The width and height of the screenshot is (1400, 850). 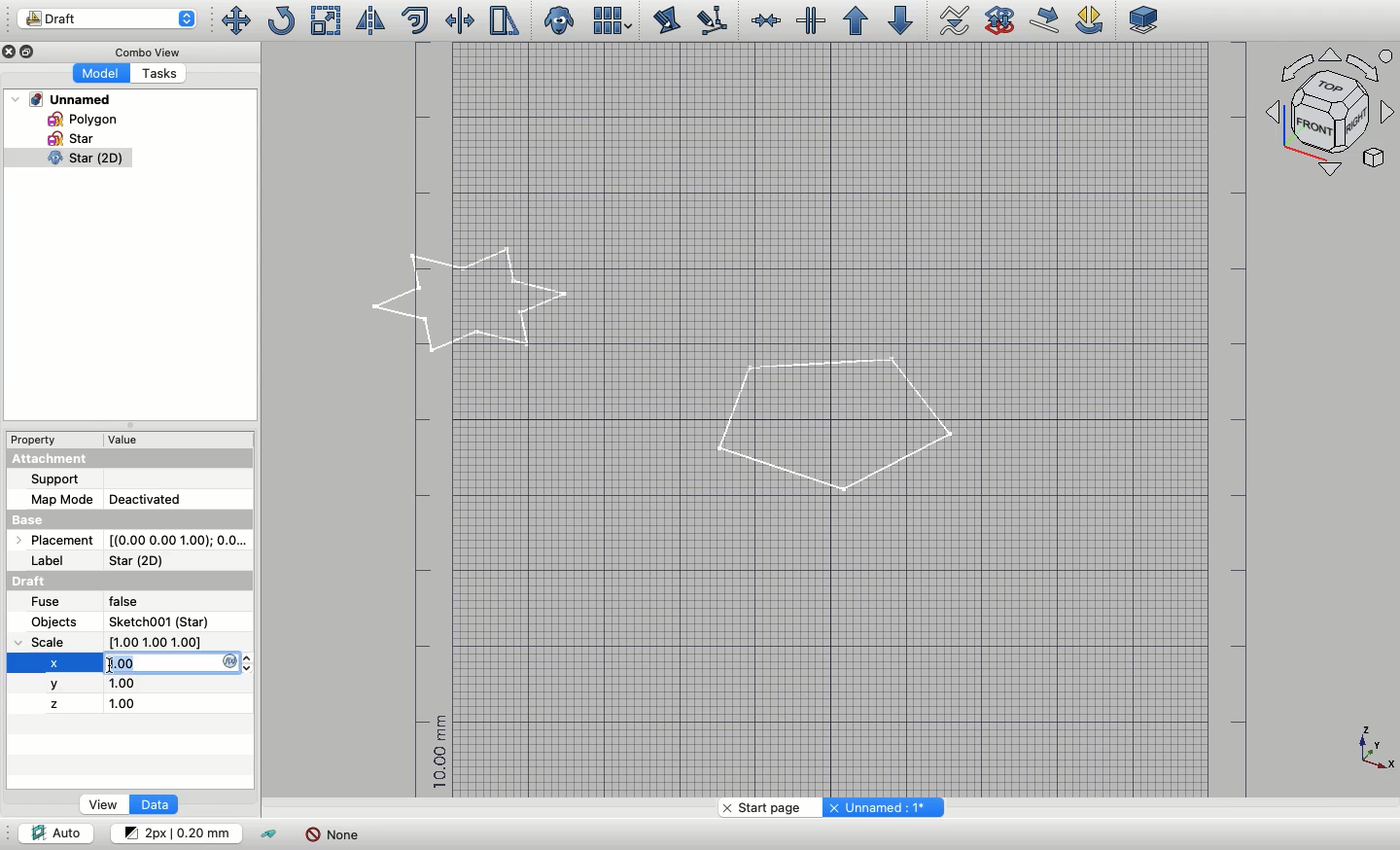 I want to click on Trimex, so click(x=462, y=20).